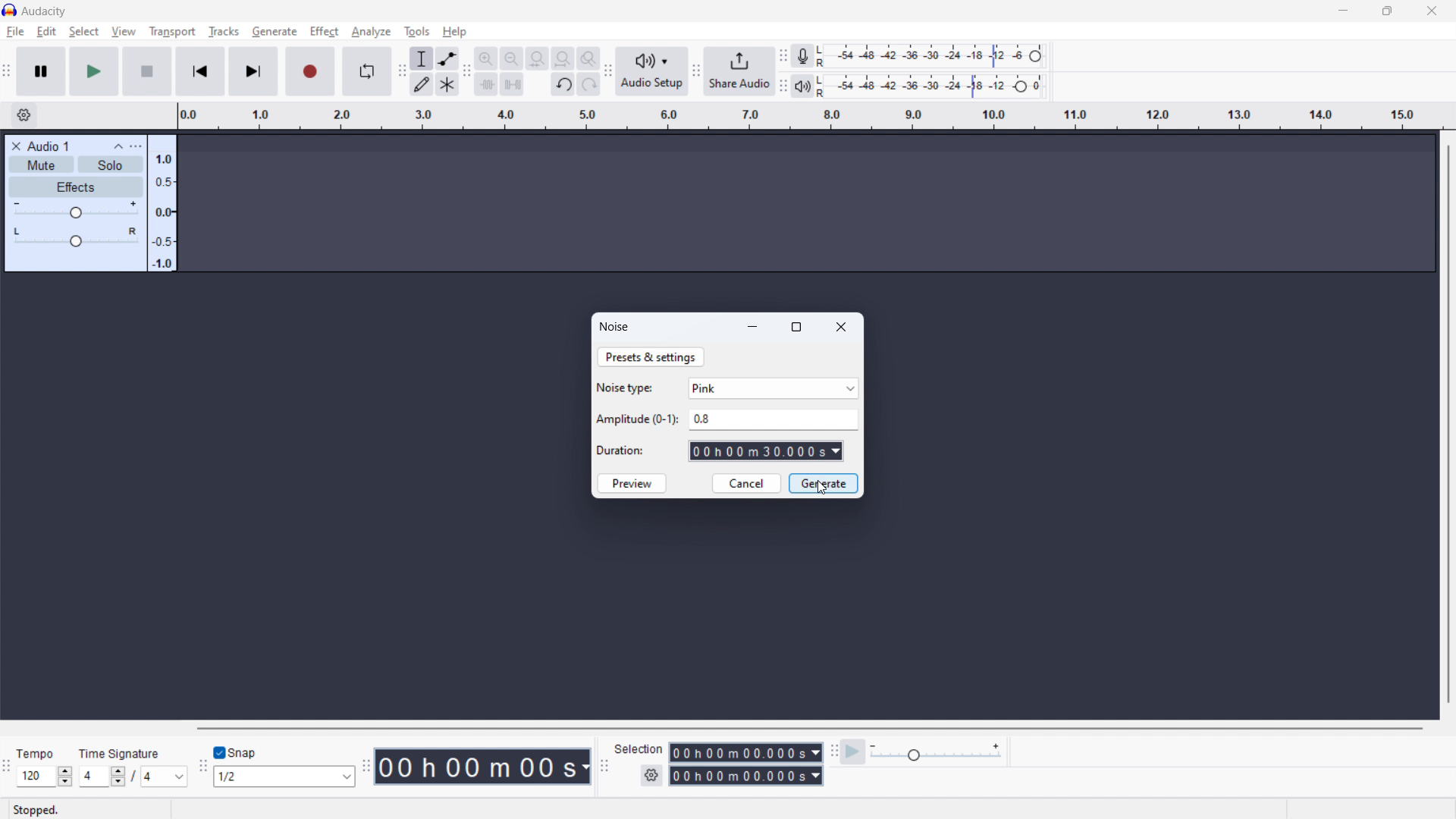 Image resolution: width=1456 pixels, height=819 pixels. Describe the element at coordinates (36, 809) in the screenshot. I see `Stopped` at that location.